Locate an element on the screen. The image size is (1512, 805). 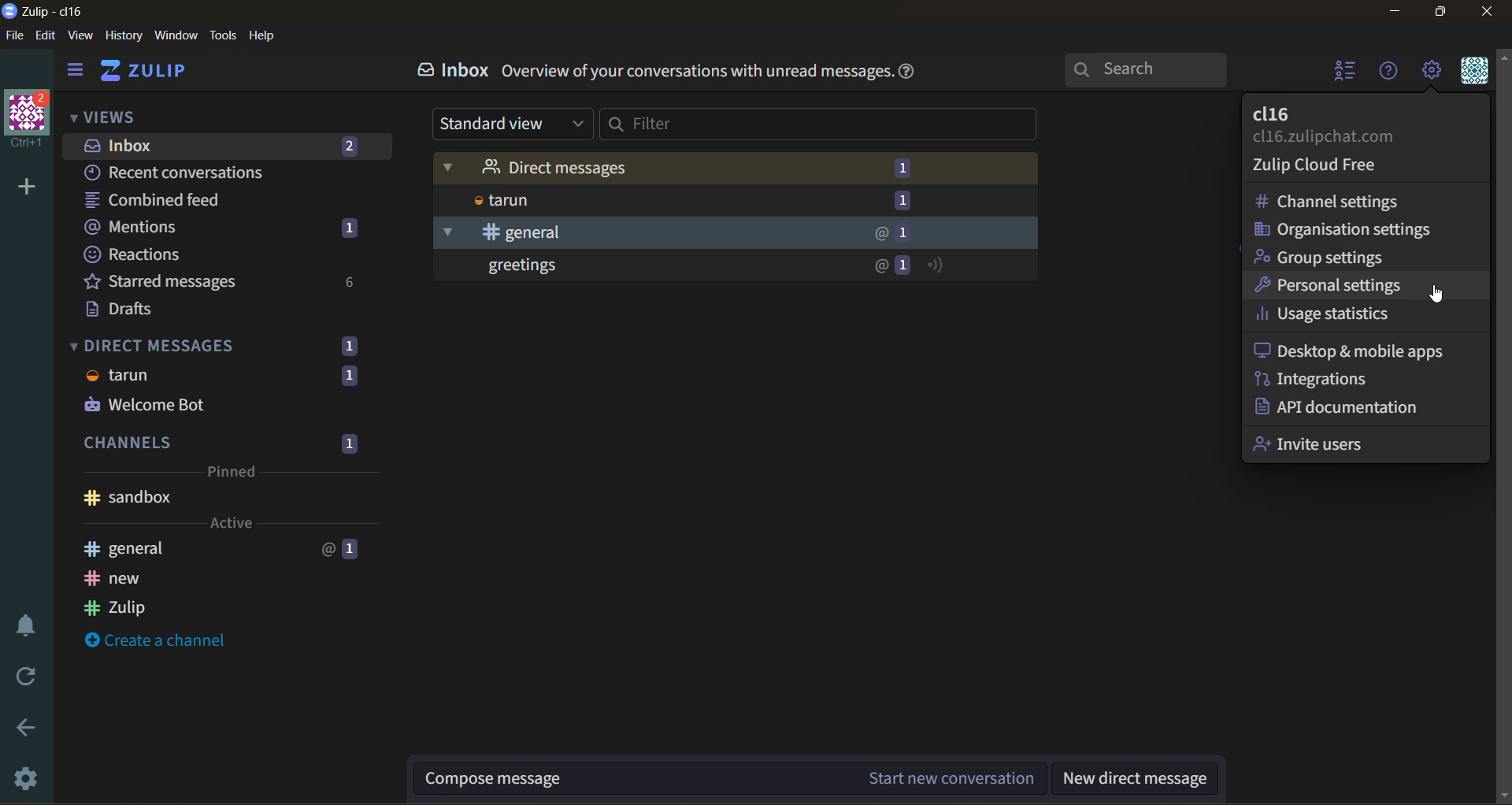
group settings is located at coordinates (1331, 259).